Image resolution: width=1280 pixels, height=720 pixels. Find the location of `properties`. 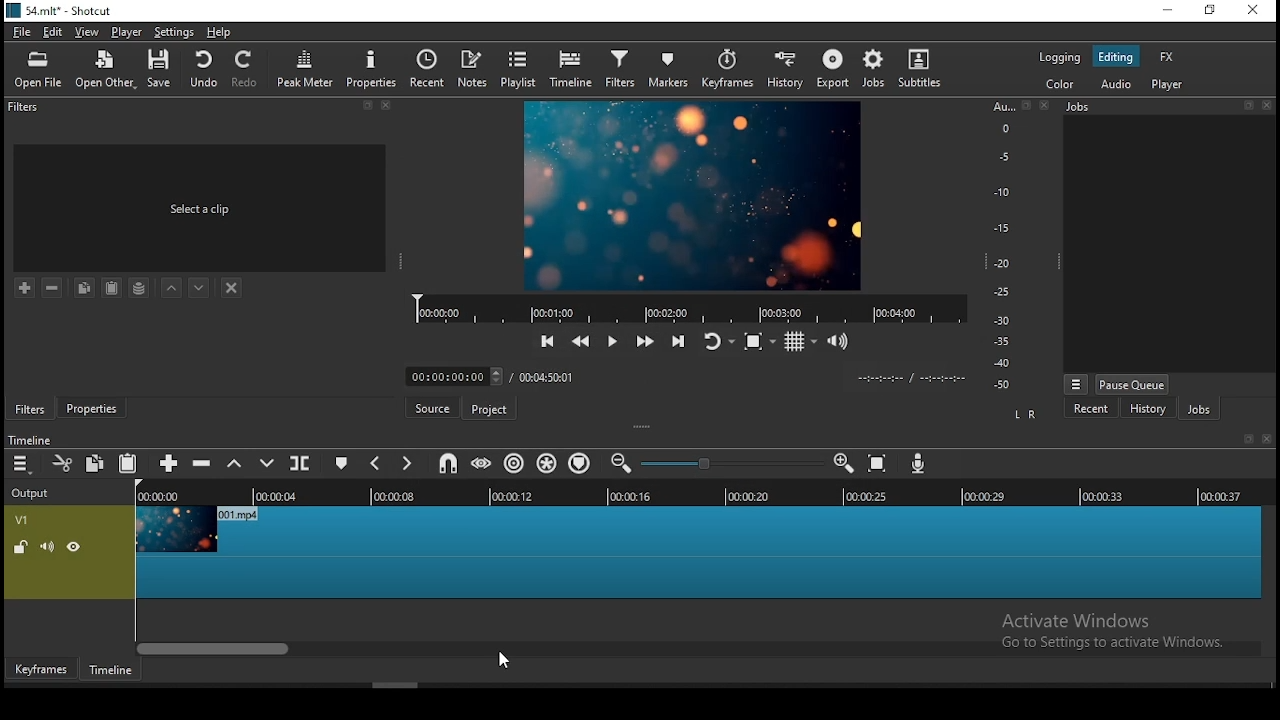

properties is located at coordinates (373, 68).